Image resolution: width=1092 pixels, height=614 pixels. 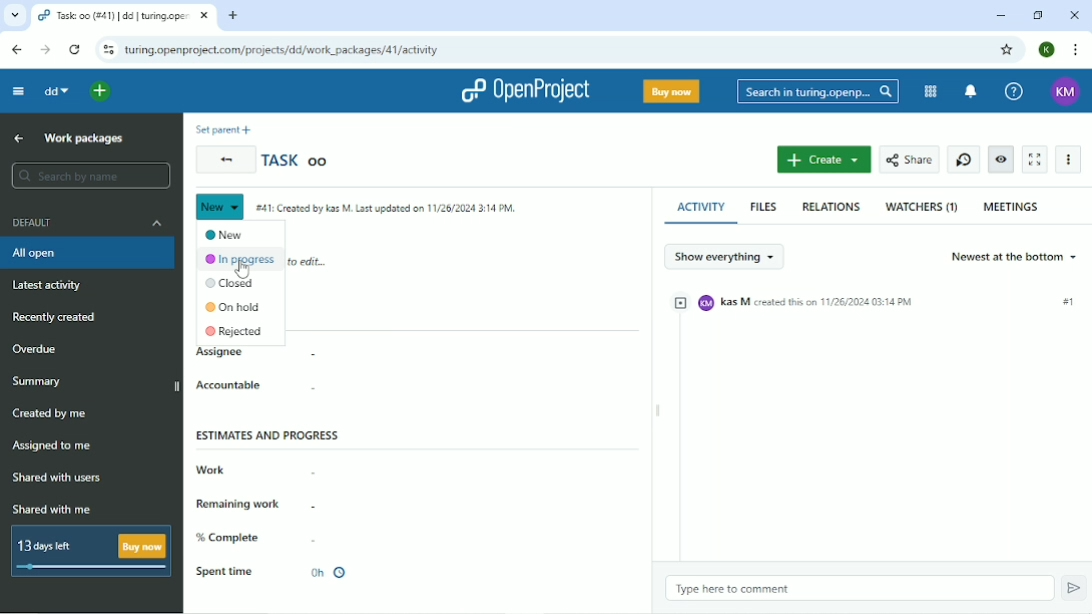 What do you see at coordinates (1016, 256) in the screenshot?
I see `Newest at the bottom` at bounding box center [1016, 256].